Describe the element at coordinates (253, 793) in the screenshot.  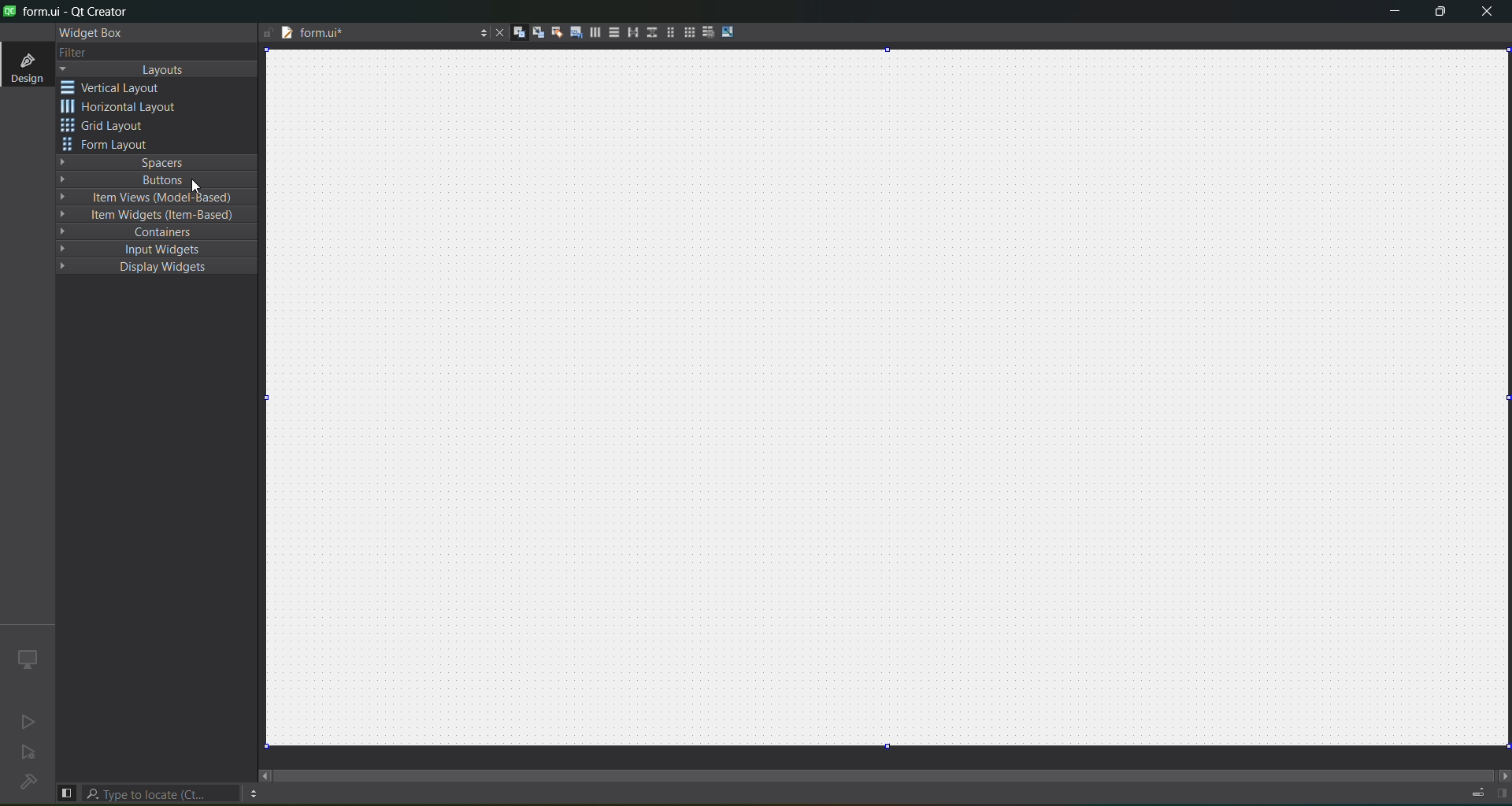
I see `options` at that location.